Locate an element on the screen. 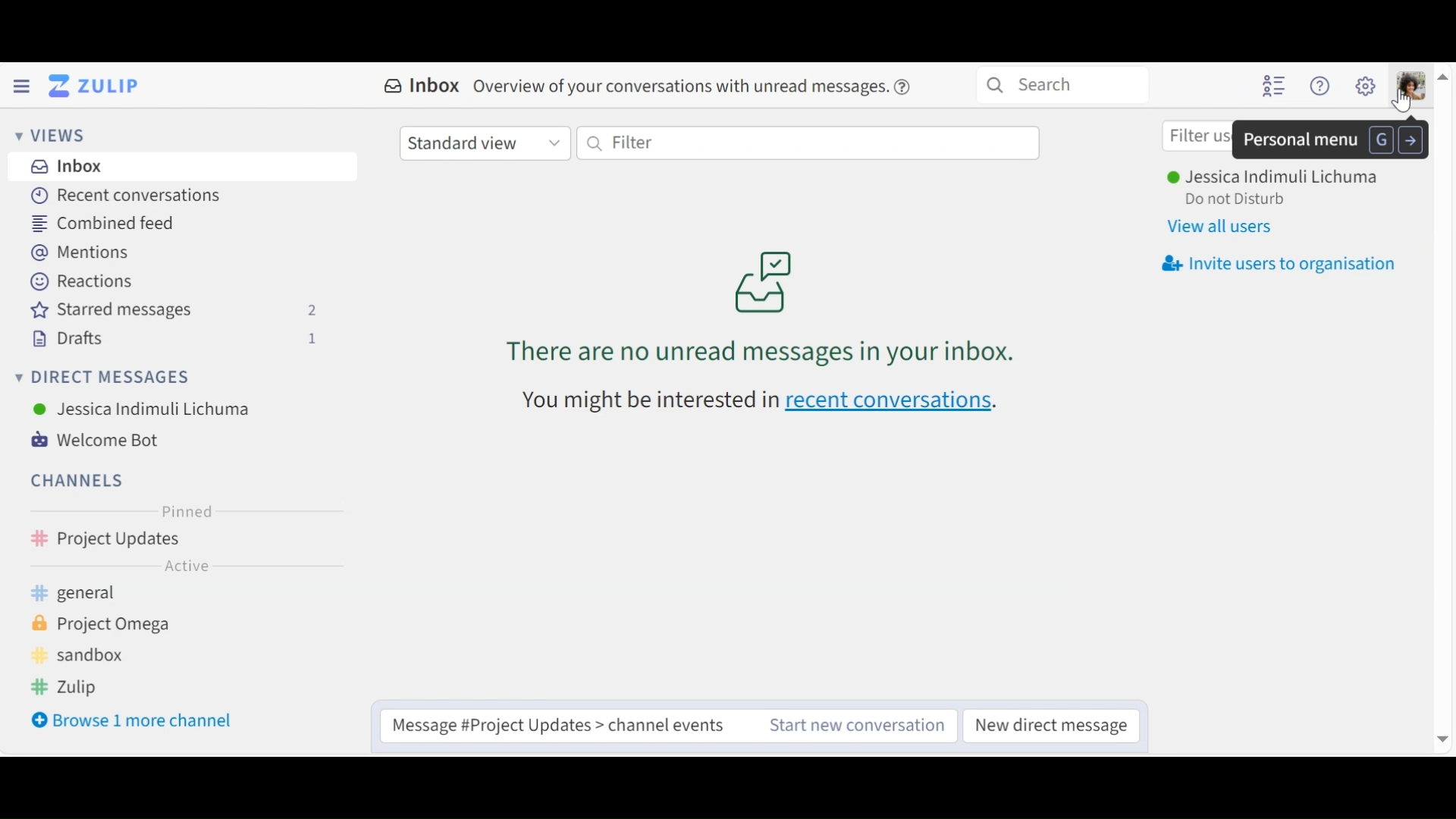  Message #Project Updates > channel events is located at coordinates (553, 726).